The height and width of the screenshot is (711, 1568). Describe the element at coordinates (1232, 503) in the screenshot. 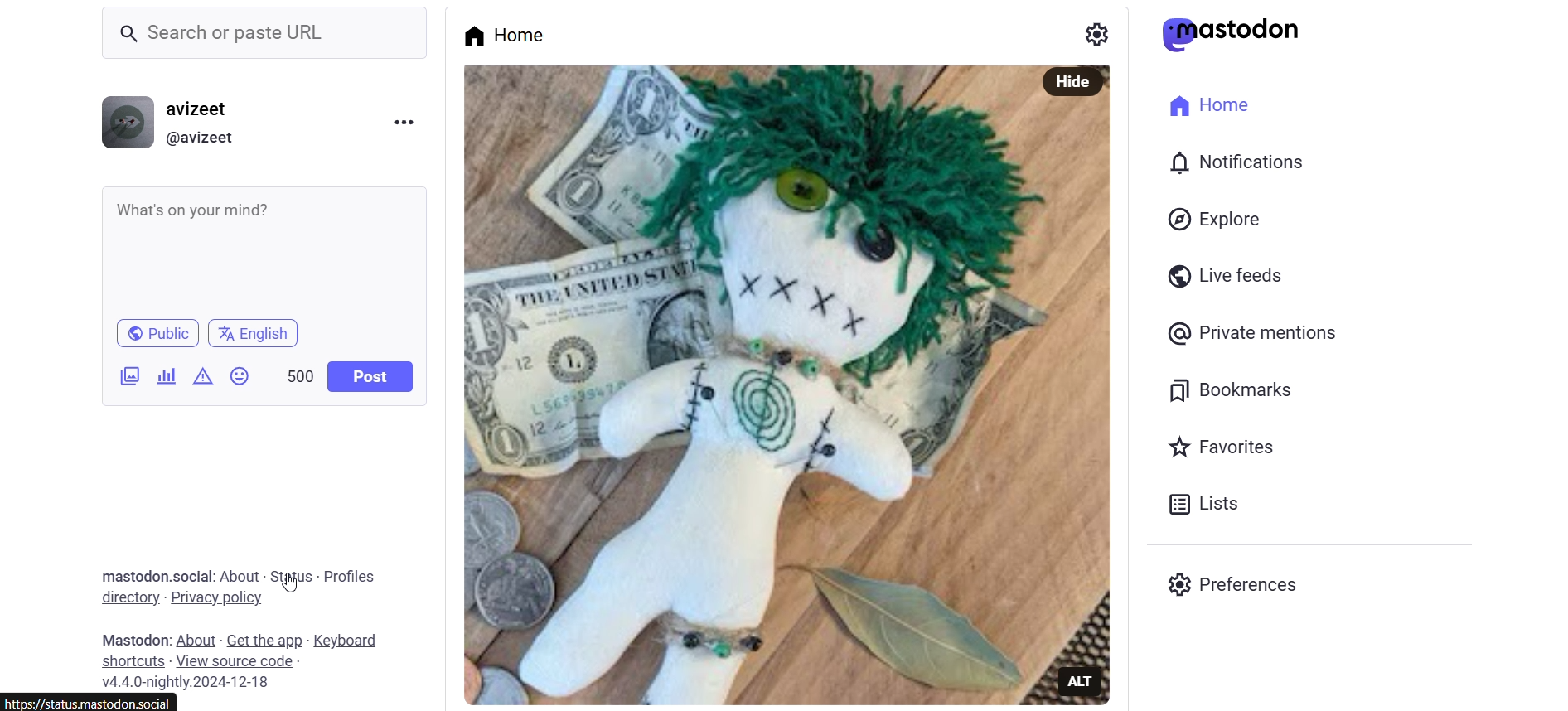

I see `lists` at that location.